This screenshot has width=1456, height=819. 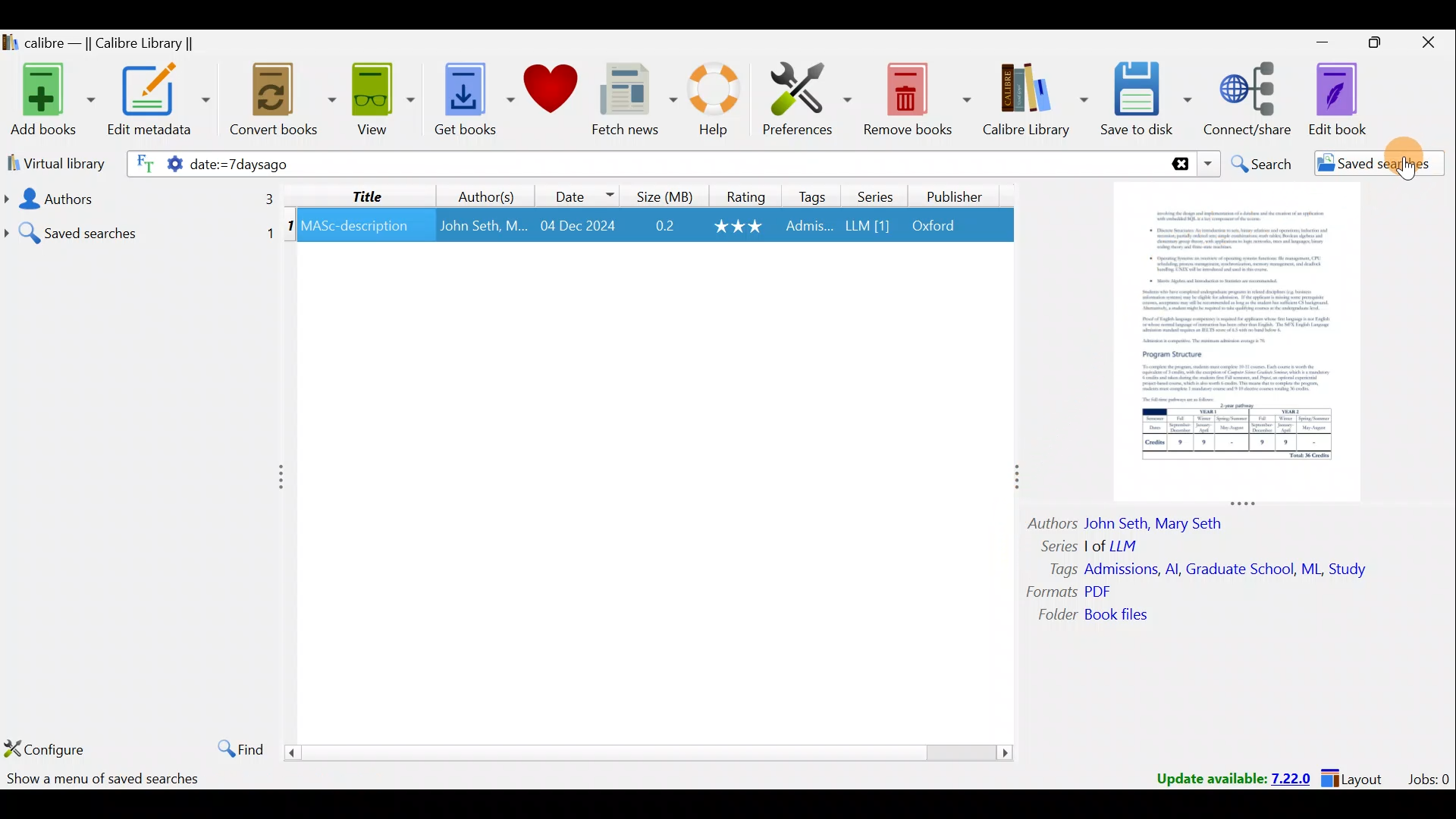 What do you see at coordinates (1207, 164) in the screenshot?
I see `Search dropdown` at bounding box center [1207, 164].